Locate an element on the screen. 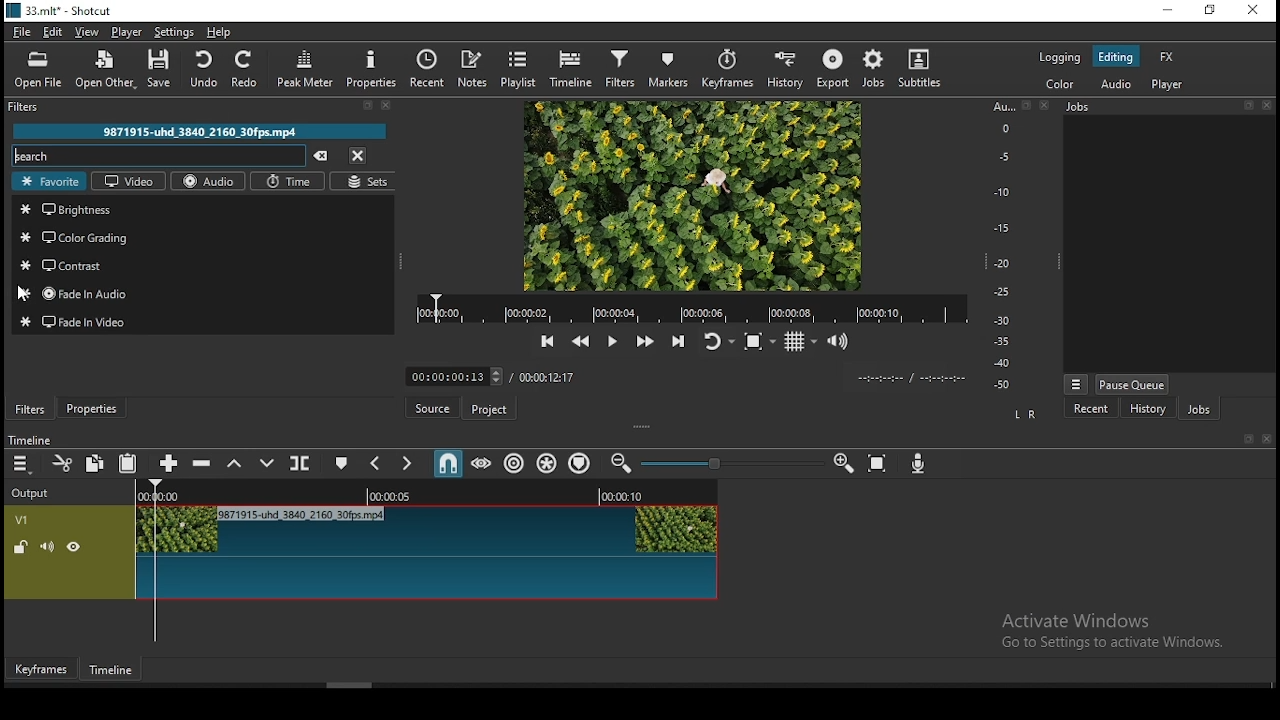 Image resolution: width=1280 pixels, height=720 pixels. timeline menu is located at coordinates (23, 463).